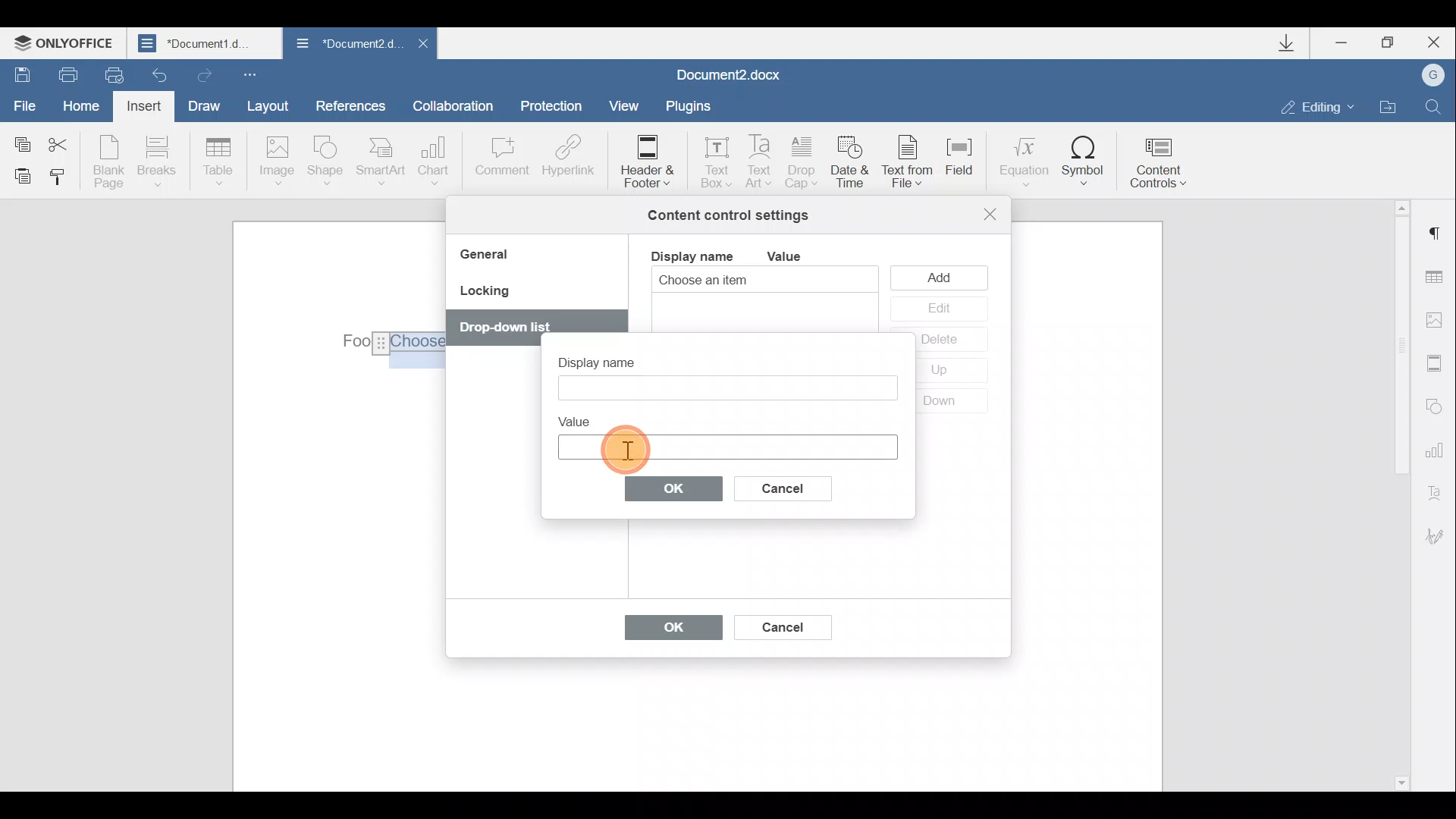 The height and width of the screenshot is (819, 1456). I want to click on Equation, so click(1022, 158).